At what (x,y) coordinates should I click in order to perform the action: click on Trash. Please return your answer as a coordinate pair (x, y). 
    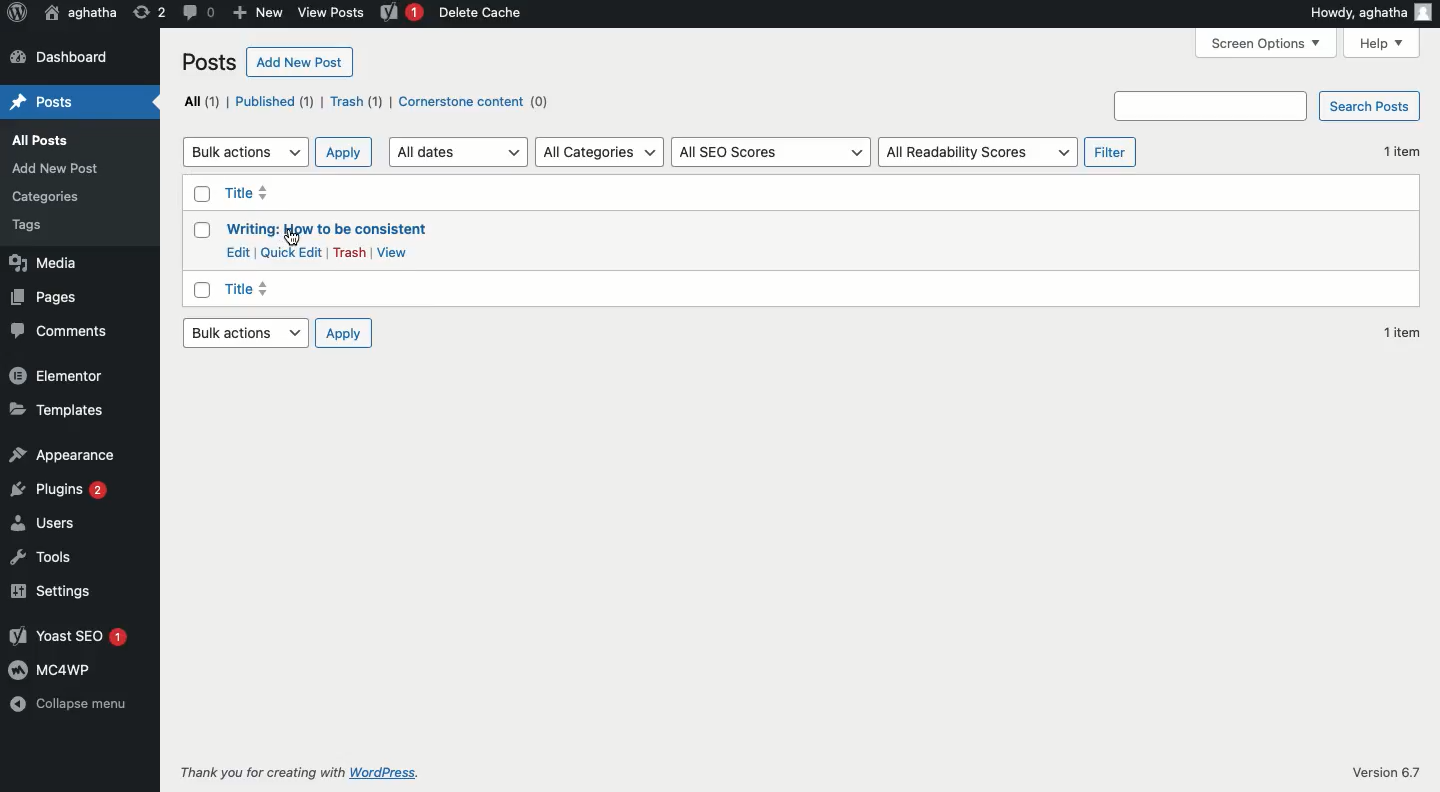
    Looking at the image, I should click on (349, 252).